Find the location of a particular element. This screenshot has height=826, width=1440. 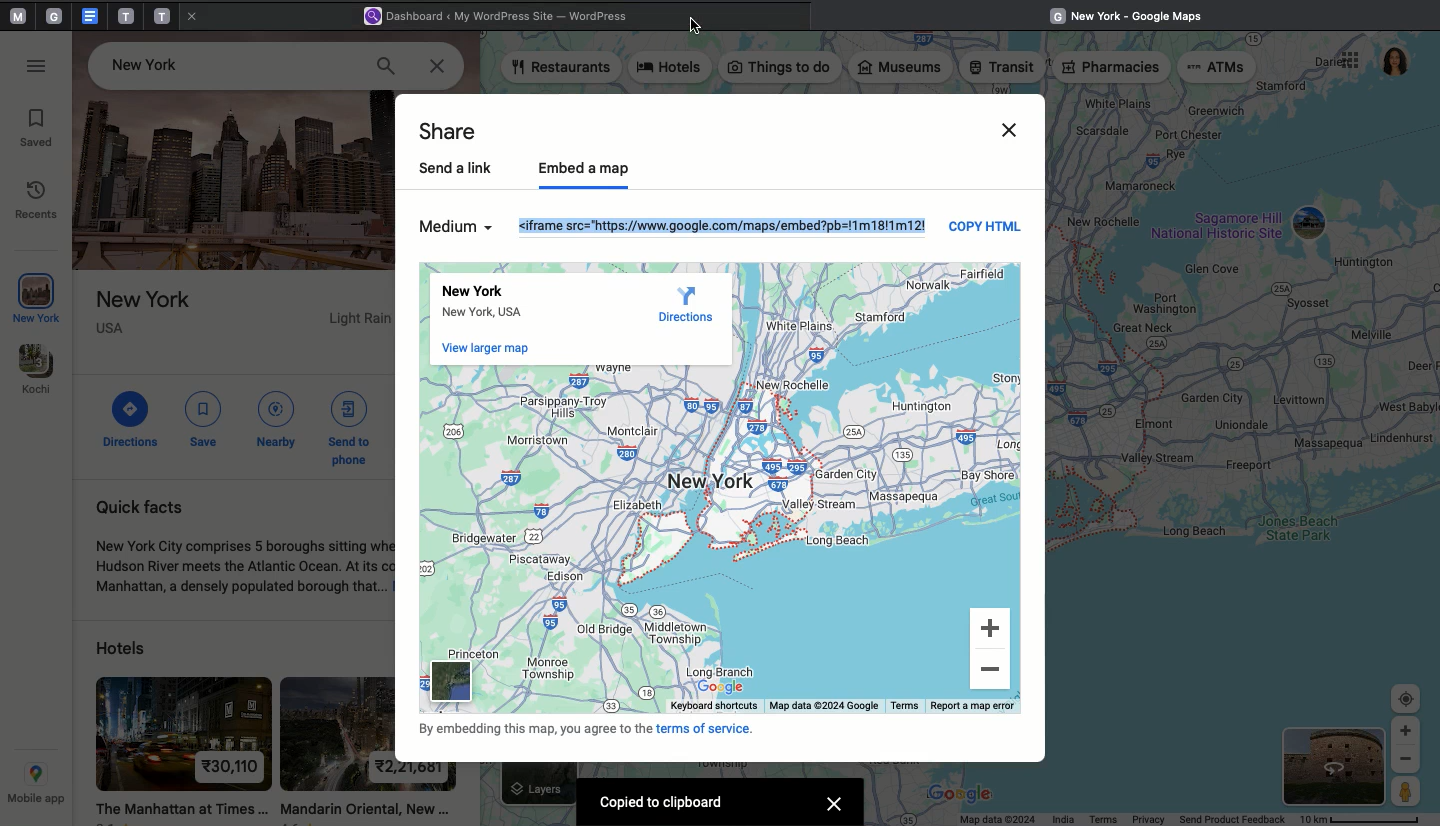

Place is located at coordinates (242, 328).